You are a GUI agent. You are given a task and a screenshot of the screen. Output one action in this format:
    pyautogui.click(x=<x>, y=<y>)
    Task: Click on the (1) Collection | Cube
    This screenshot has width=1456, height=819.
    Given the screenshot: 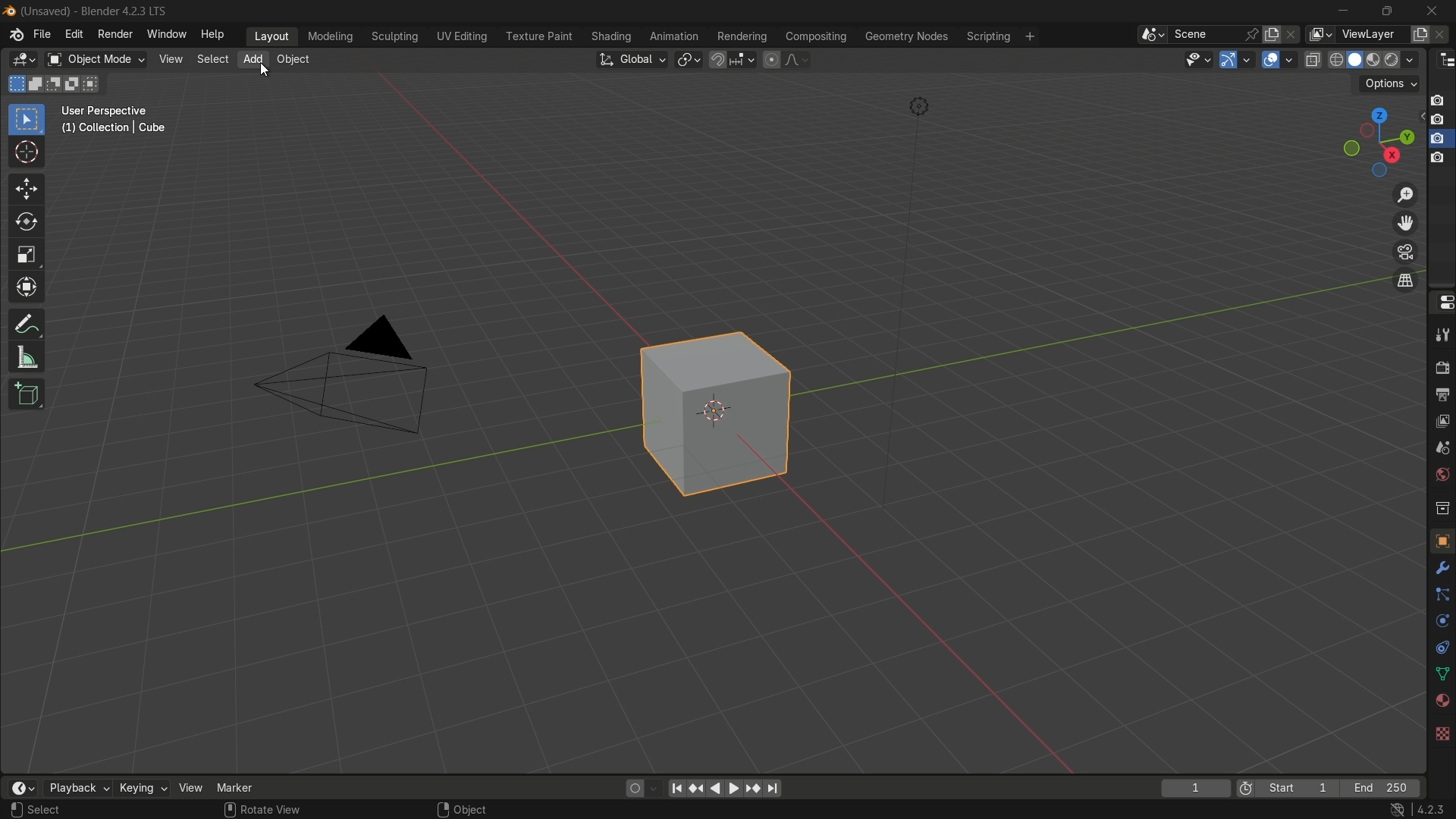 What is the action you would take?
    pyautogui.click(x=113, y=129)
    